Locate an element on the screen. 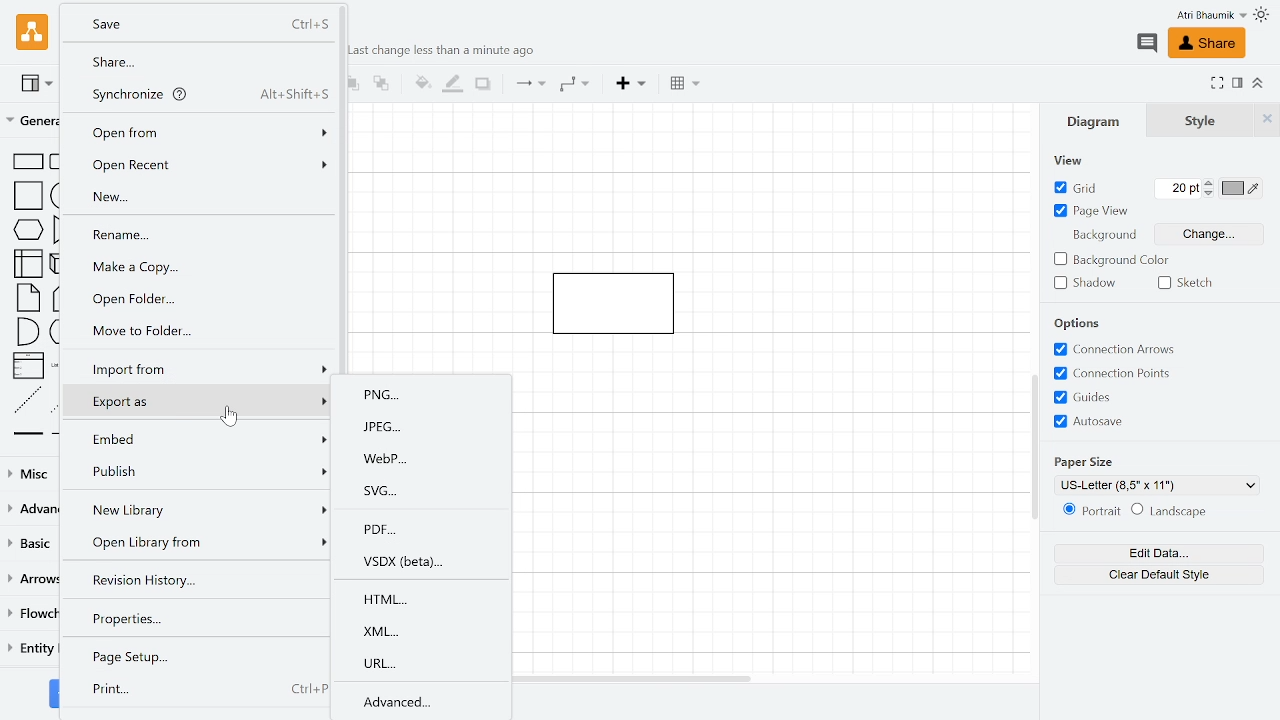 This screenshot has height=720, width=1280. cursor is located at coordinates (228, 417).